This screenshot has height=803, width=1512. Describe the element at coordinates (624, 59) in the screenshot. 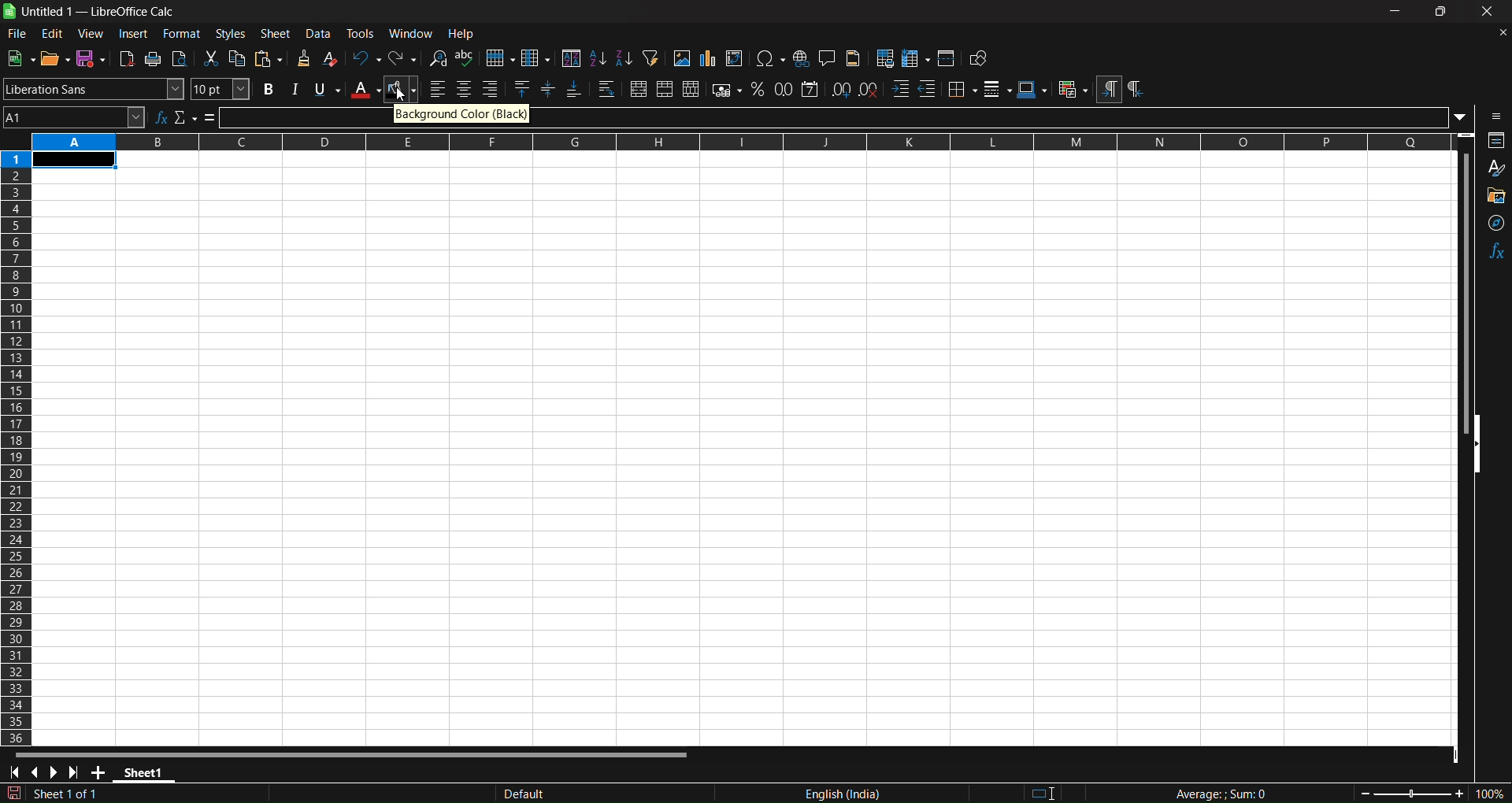

I see `sort descending` at that location.